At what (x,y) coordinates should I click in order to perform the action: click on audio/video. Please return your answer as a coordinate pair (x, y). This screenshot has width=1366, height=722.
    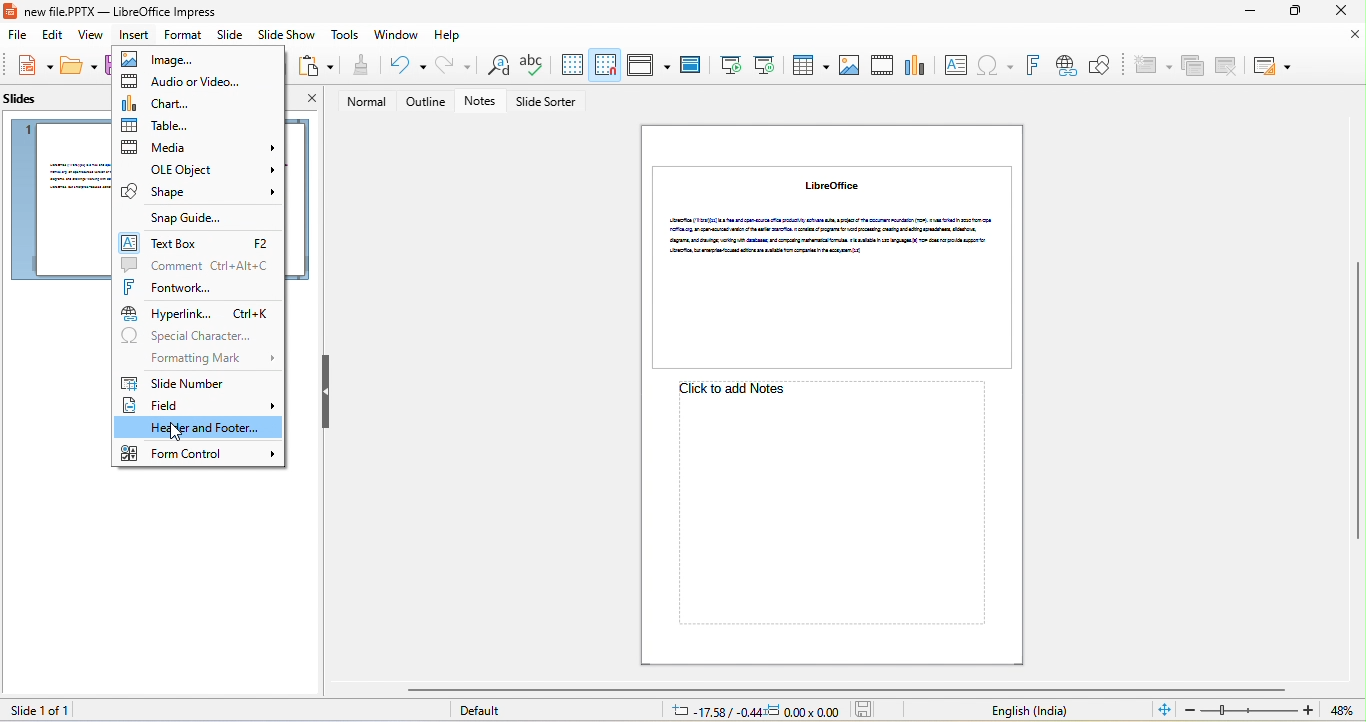
    Looking at the image, I should click on (181, 82).